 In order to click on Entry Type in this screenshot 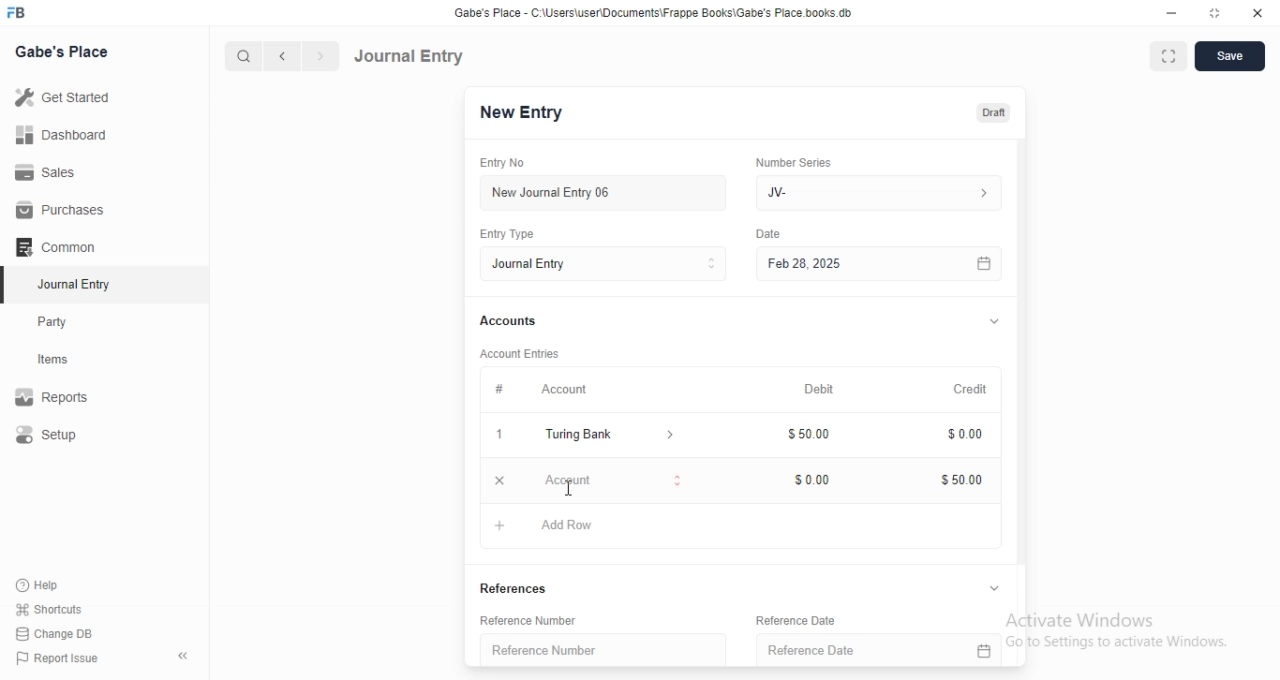, I will do `click(514, 233)`.